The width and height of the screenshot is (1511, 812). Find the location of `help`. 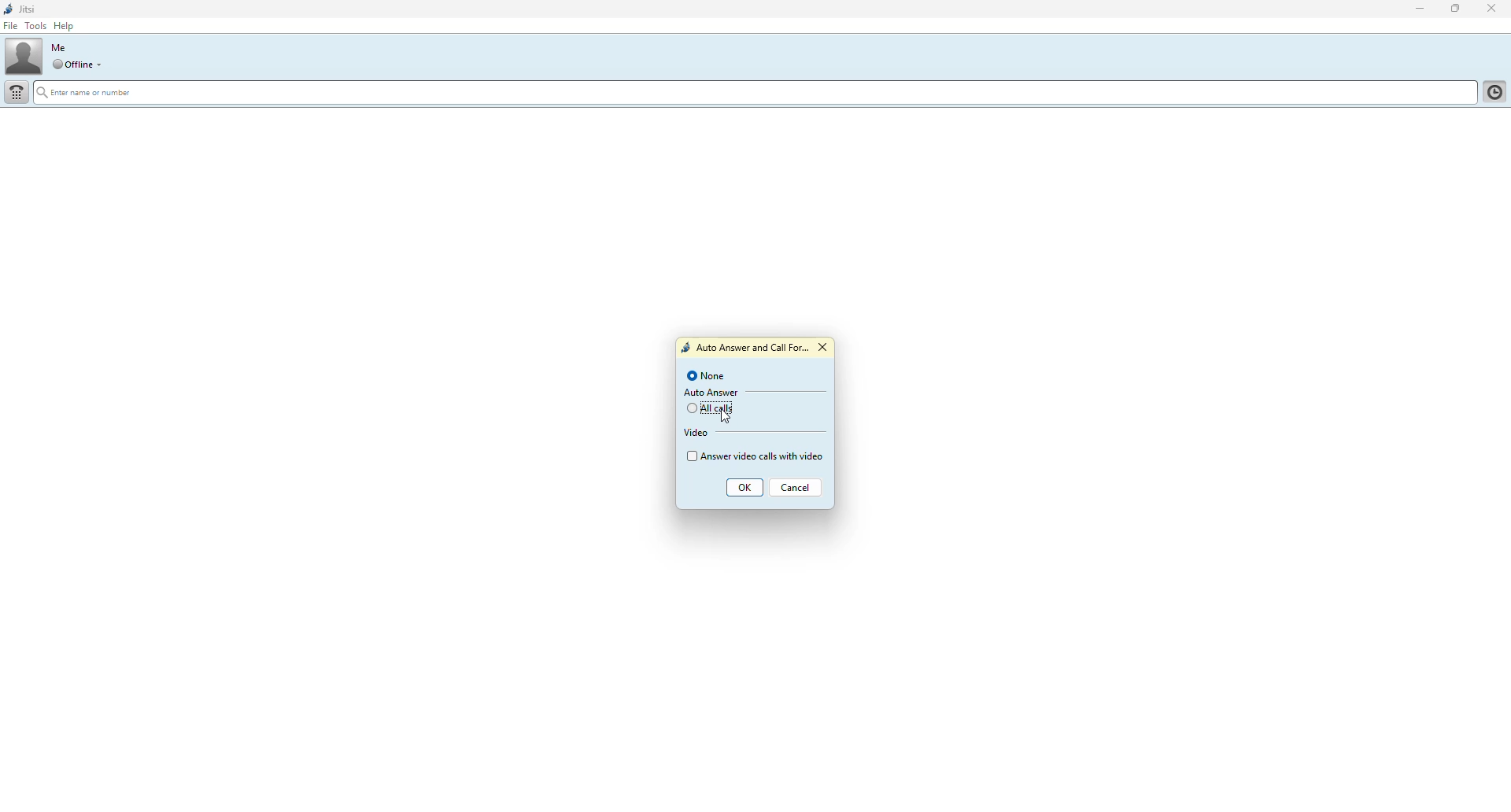

help is located at coordinates (65, 26).